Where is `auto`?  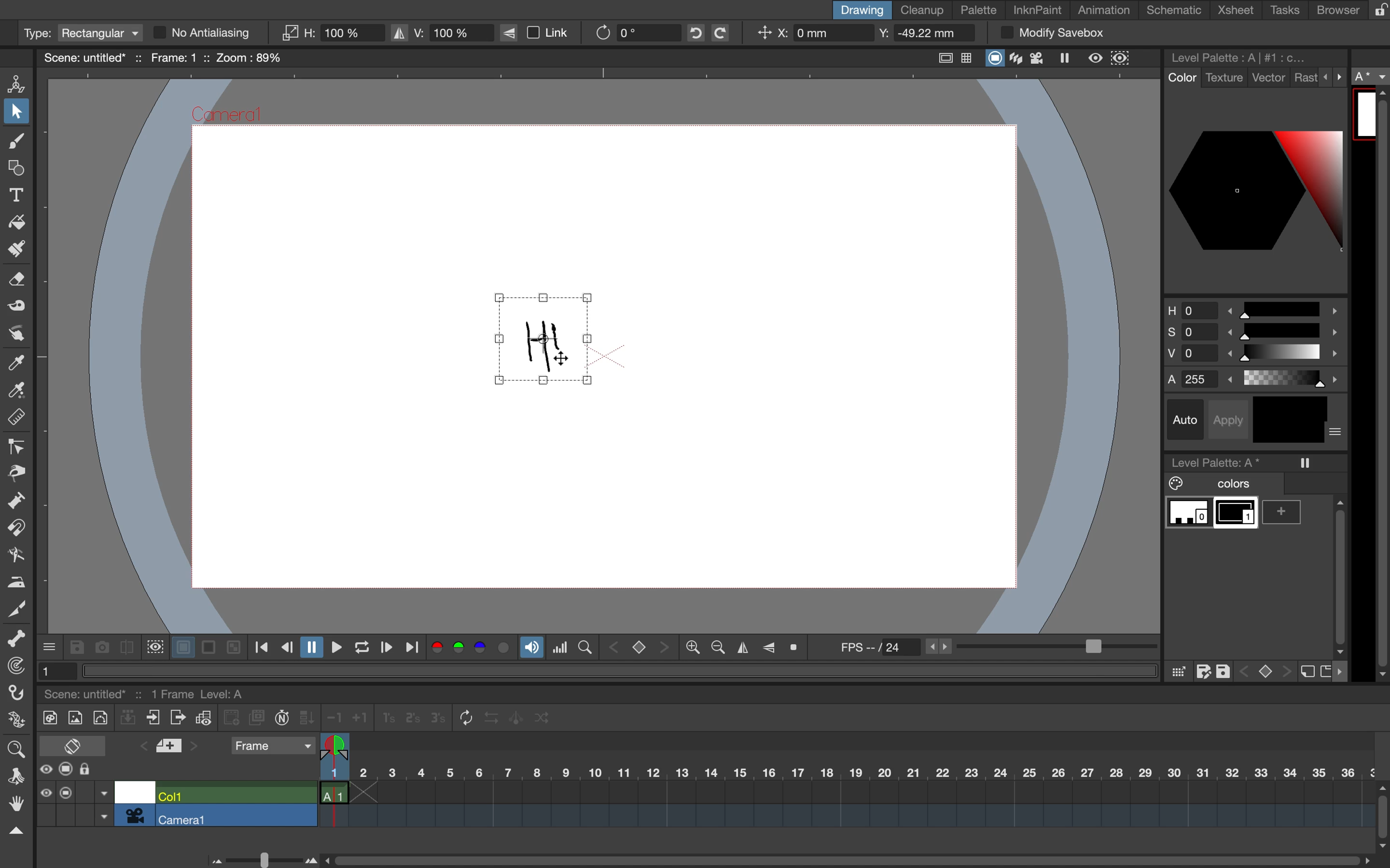
auto is located at coordinates (1187, 420).